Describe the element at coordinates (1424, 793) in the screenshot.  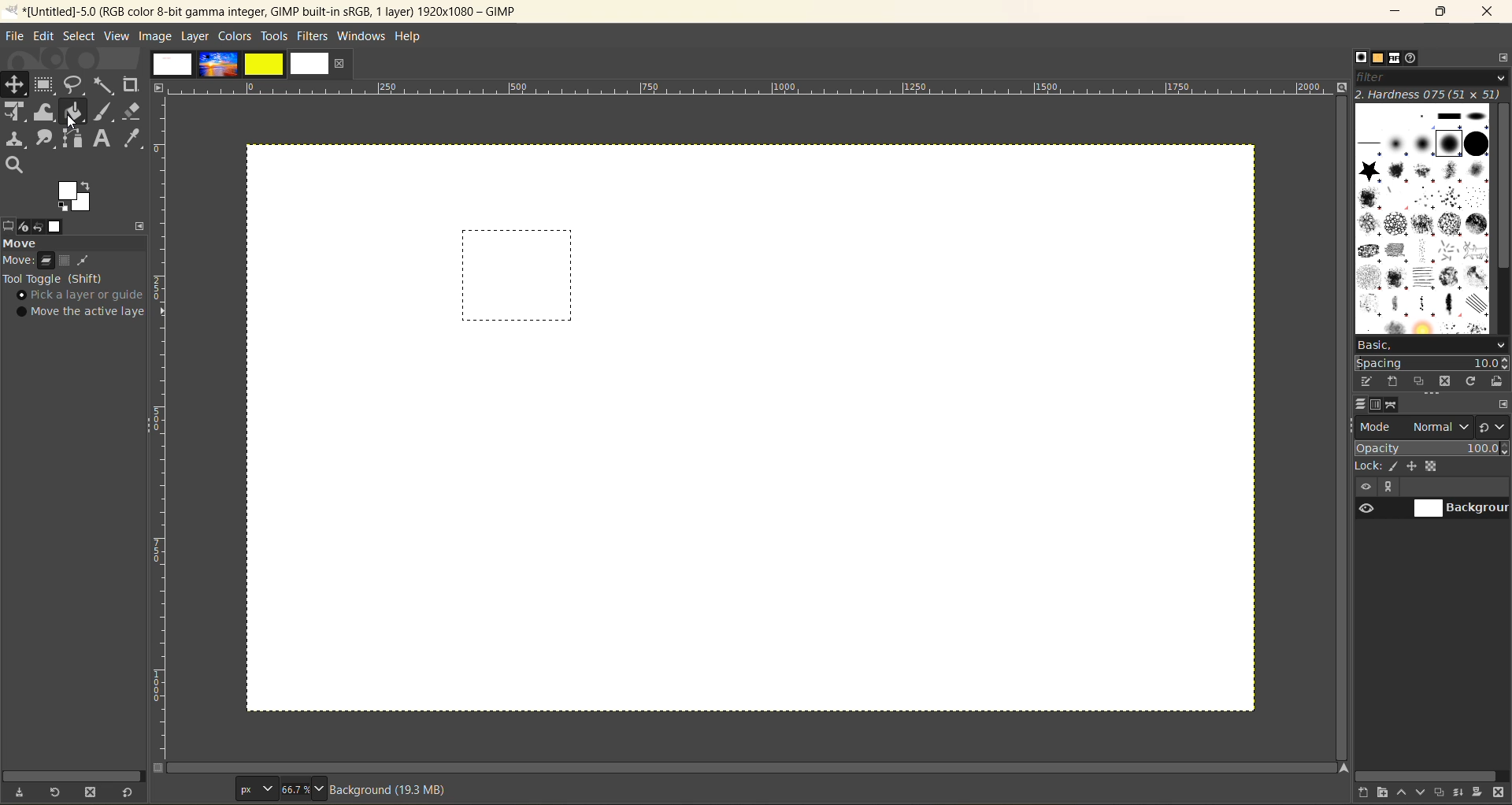
I see `lower this layer` at that location.